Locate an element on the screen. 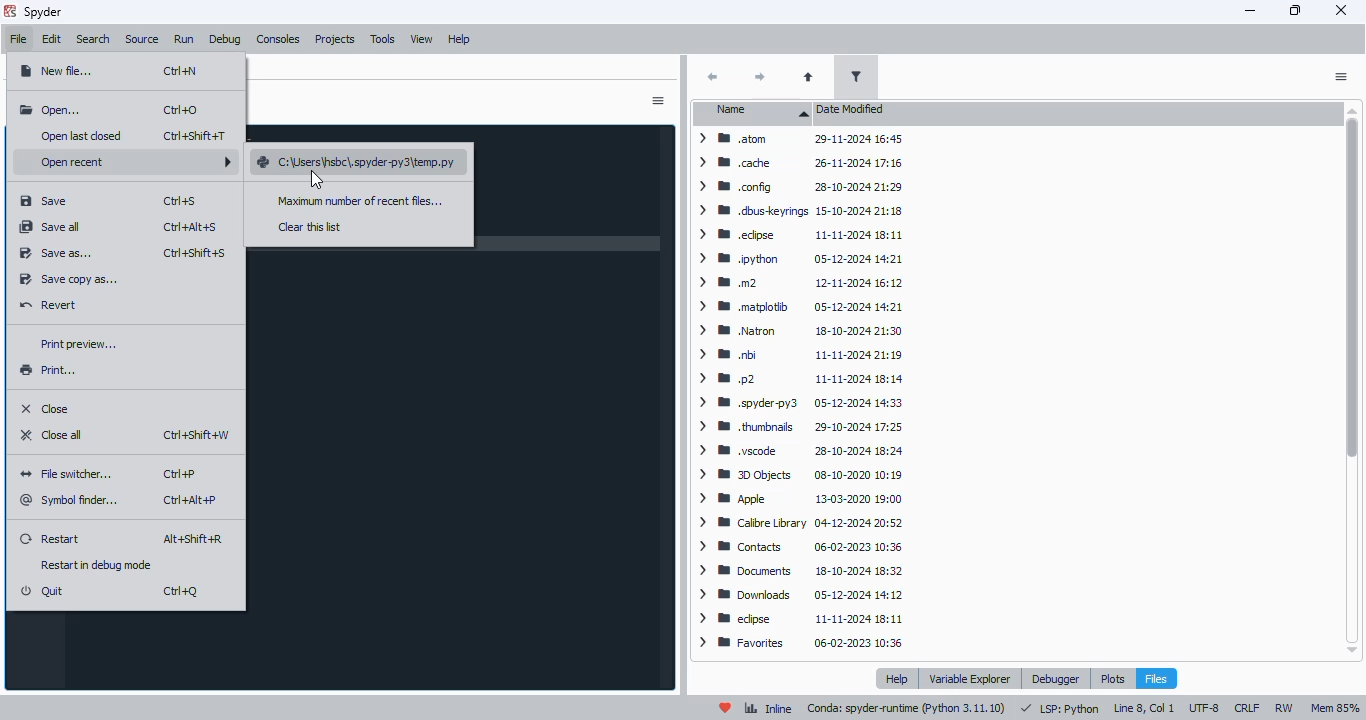 Image resolution: width=1366 pixels, height=720 pixels. file switcher is located at coordinates (70, 474).